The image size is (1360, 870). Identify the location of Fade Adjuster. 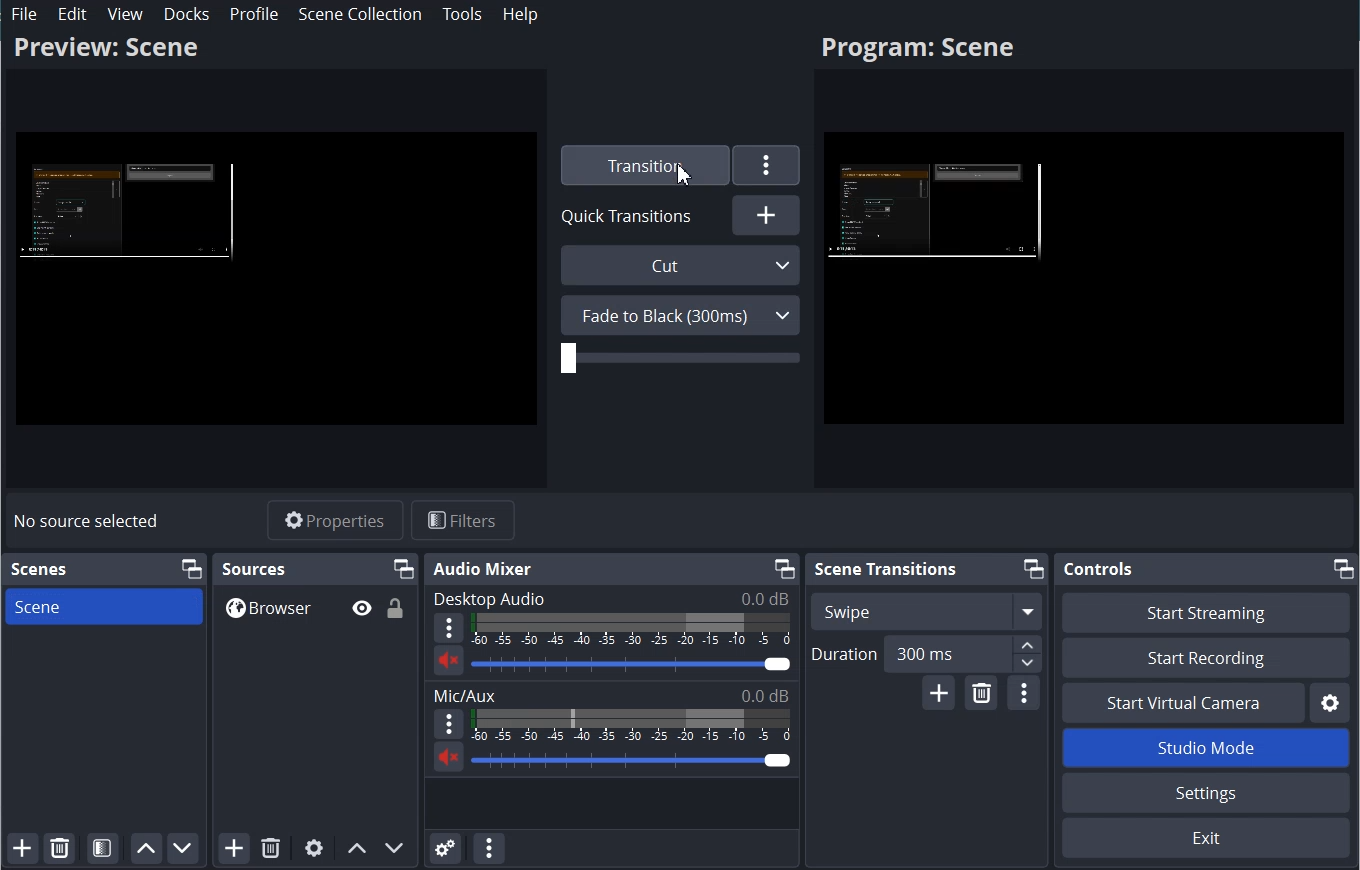
(680, 358).